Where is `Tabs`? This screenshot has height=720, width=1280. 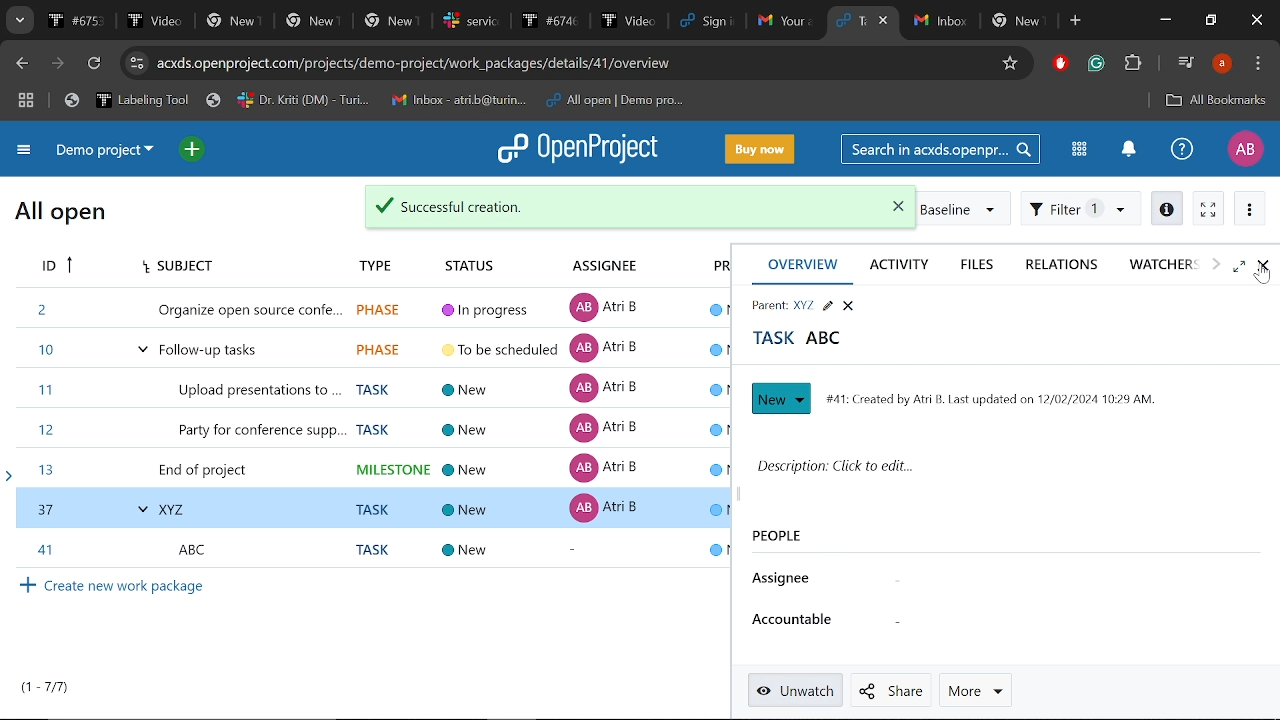
Tabs is located at coordinates (432, 20).